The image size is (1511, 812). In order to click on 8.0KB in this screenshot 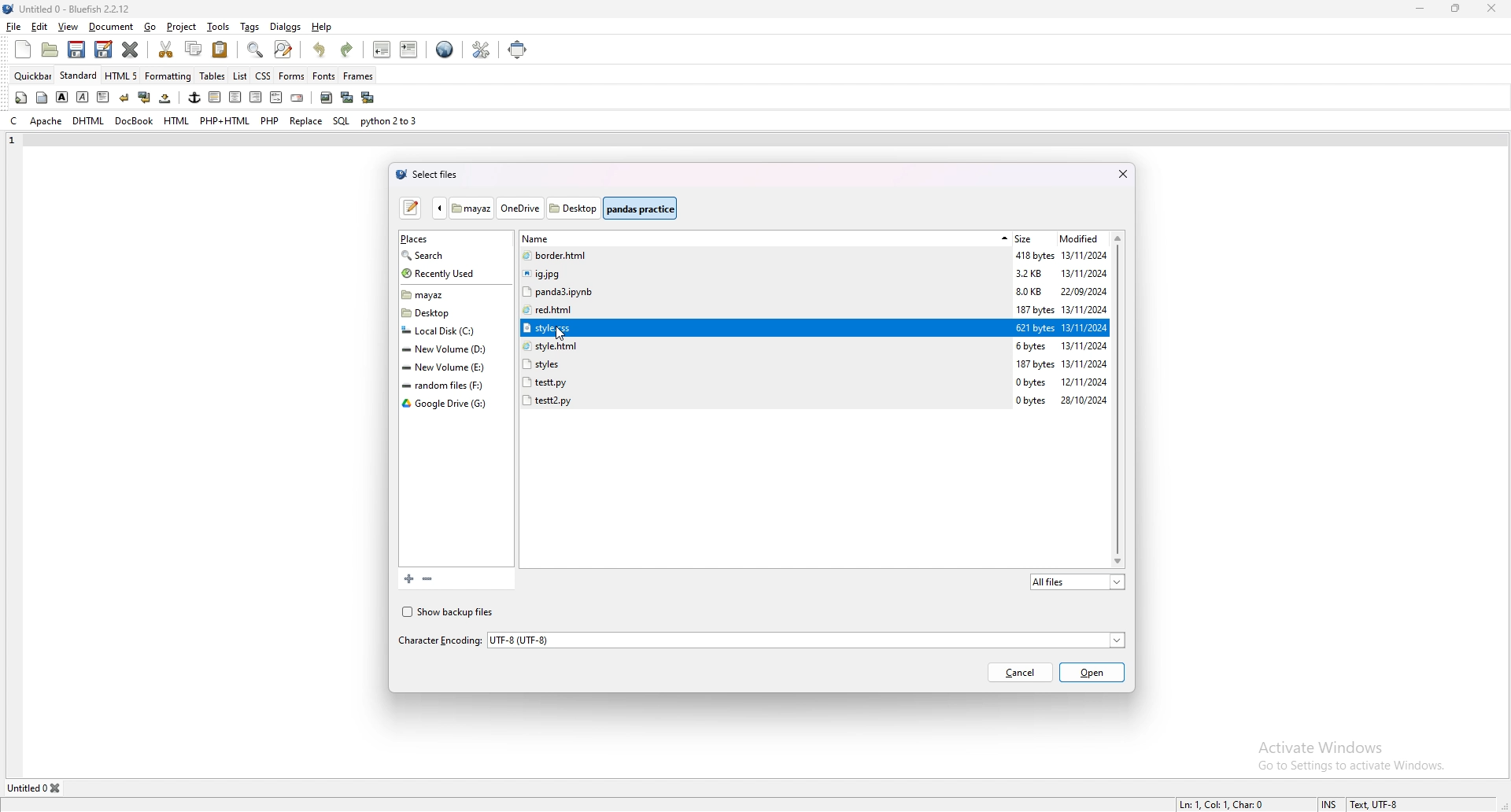, I will do `click(1029, 293)`.